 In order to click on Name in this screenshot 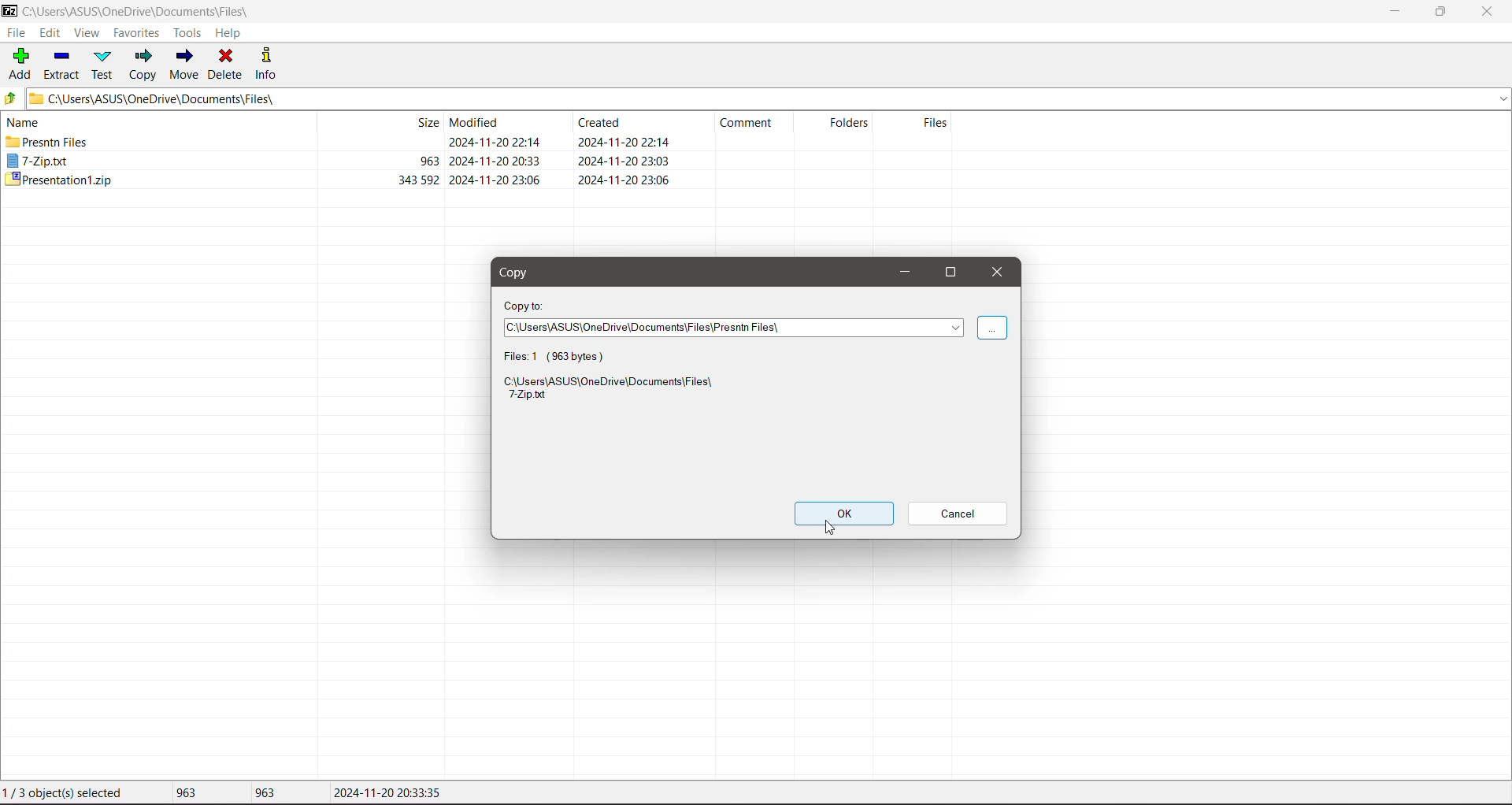, I will do `click(27, 121)`.